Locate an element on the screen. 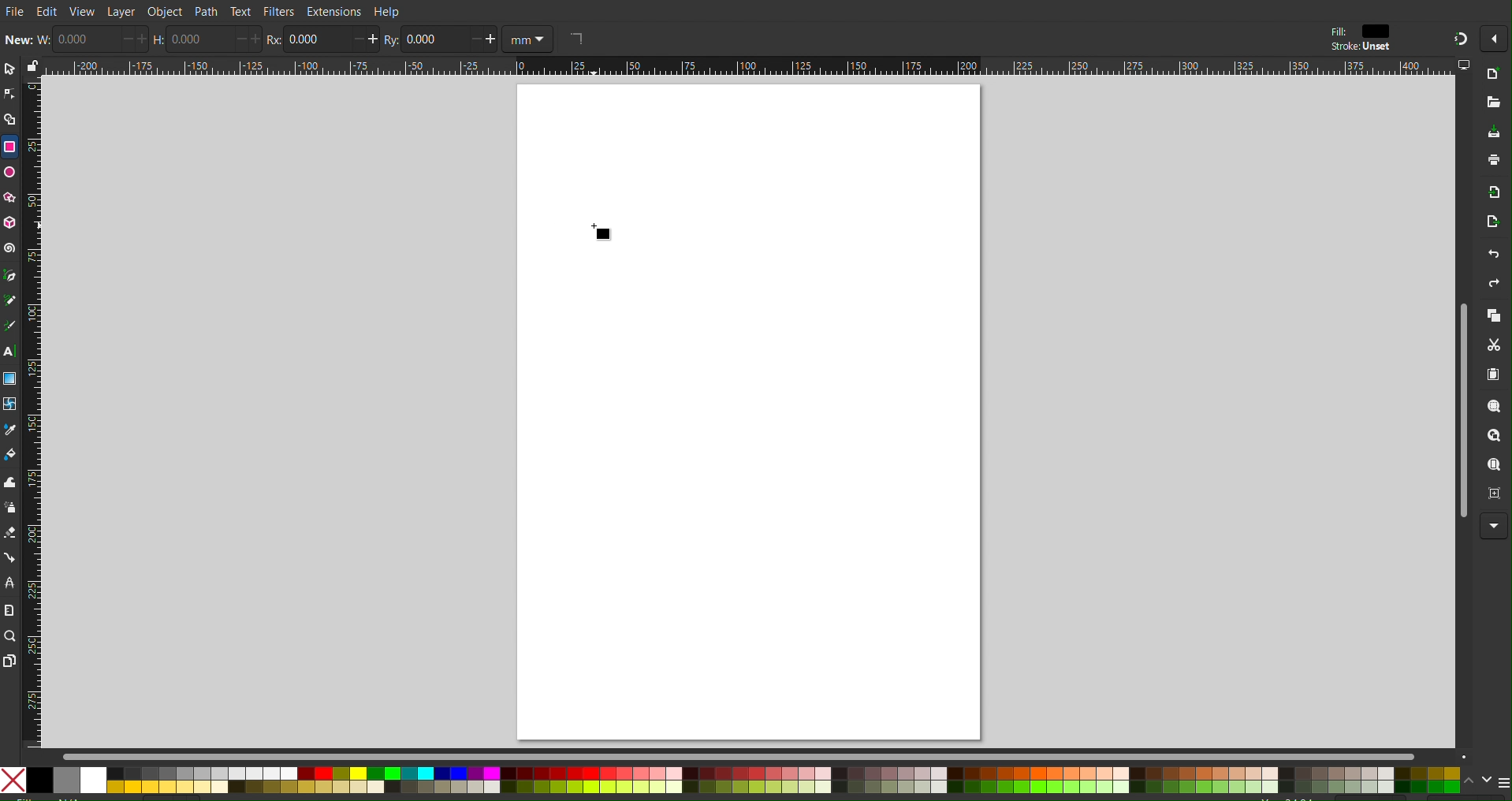 Image resolution: width=1512 pixels, height=801 pixels. rx is located at coordinates (274, 40).